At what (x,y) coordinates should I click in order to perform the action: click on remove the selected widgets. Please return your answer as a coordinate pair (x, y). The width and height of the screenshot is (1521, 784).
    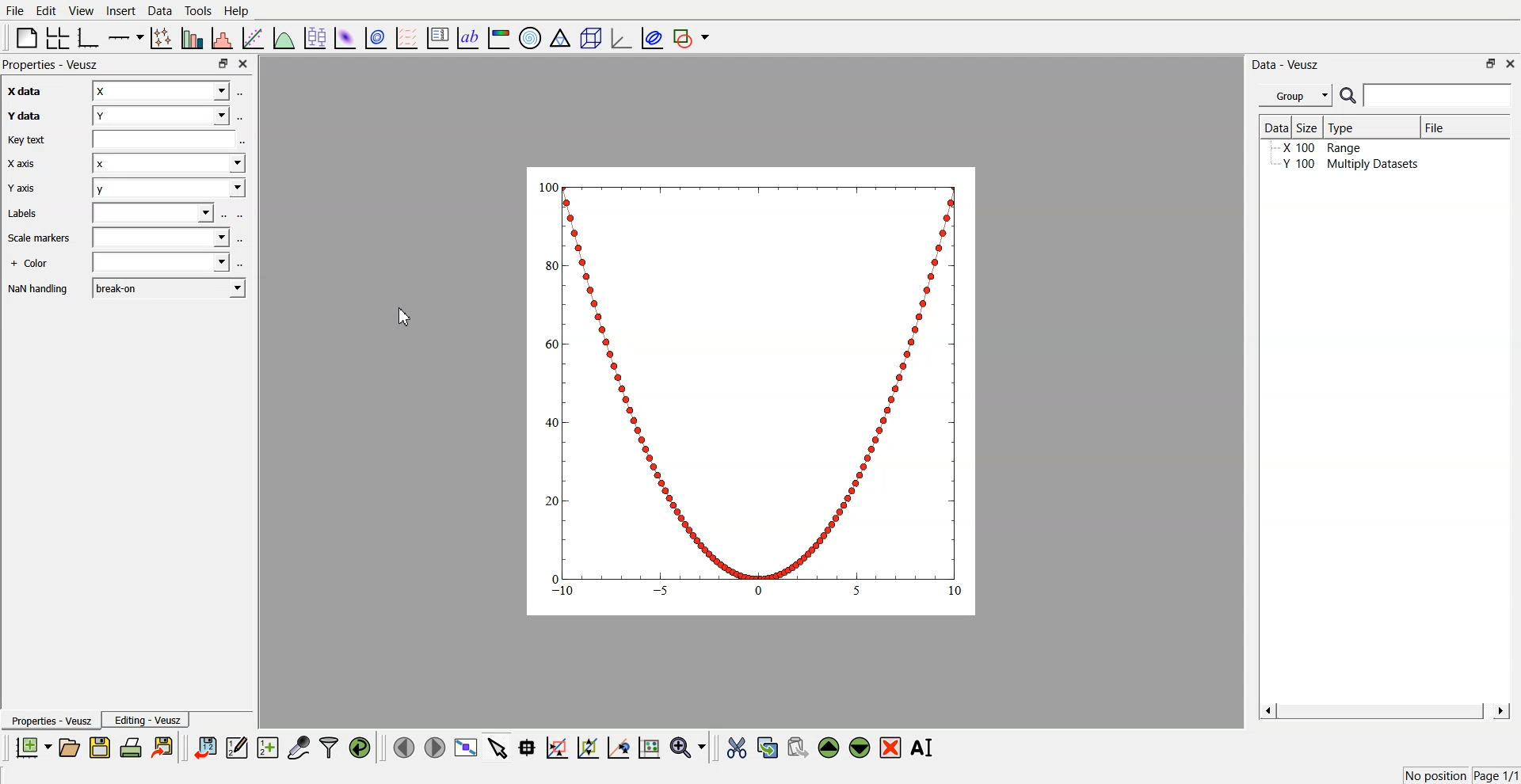
    Looking at the image, I should click on (892, 748).